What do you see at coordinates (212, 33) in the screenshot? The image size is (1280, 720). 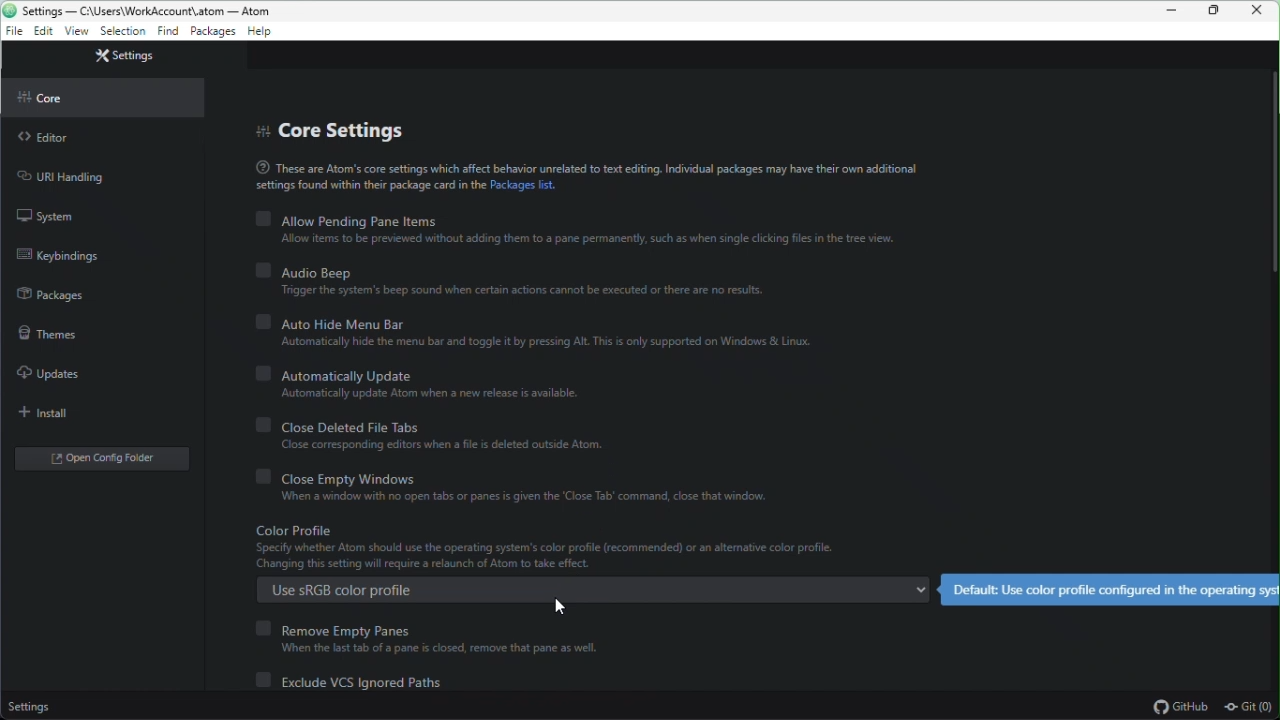 I see `Packages` at bounding box center [212, 33].